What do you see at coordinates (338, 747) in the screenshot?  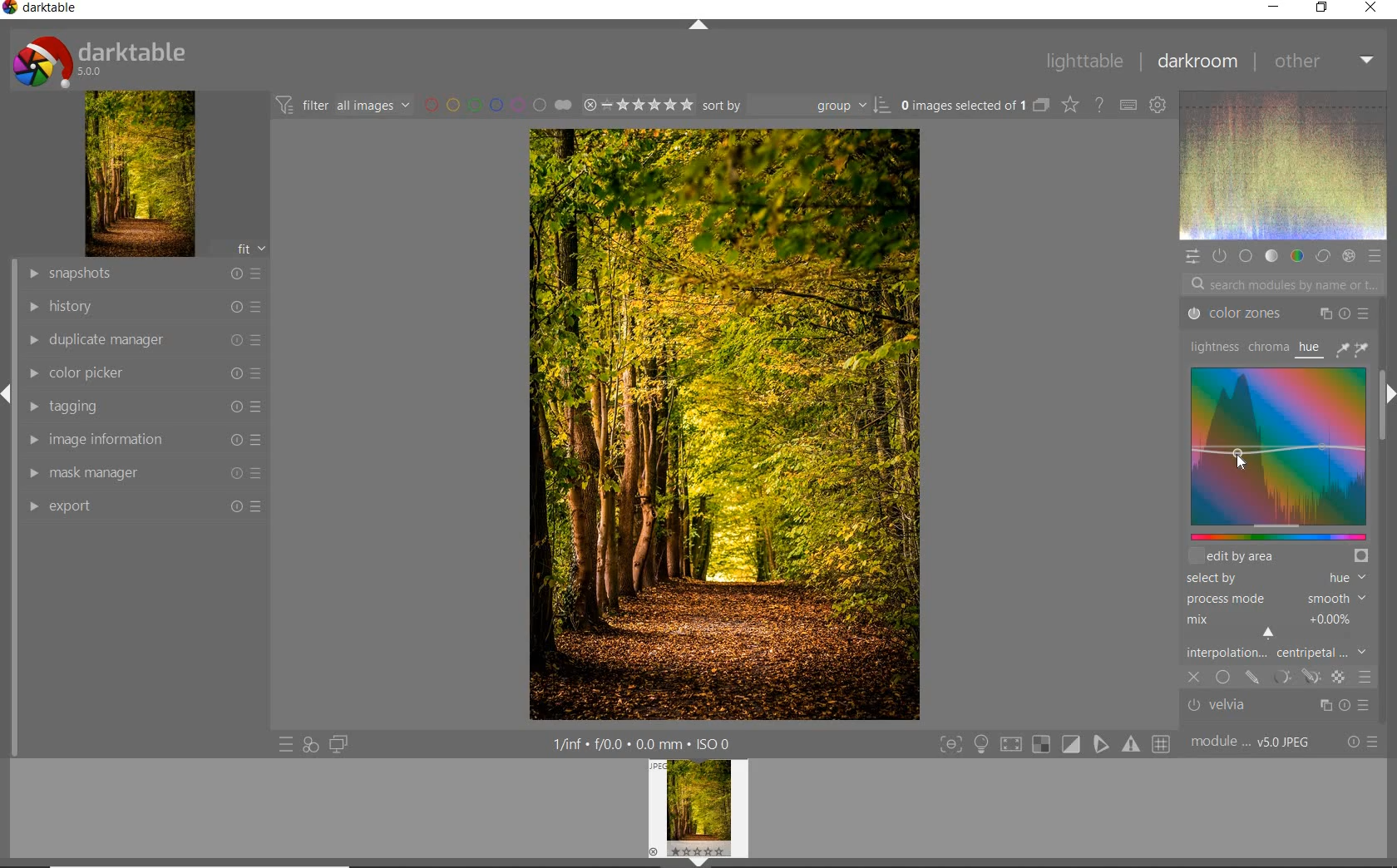 I see `DISPLAY A SECOND DARKROOM IMAGE WINDOW` at bounding box center [338, 747].